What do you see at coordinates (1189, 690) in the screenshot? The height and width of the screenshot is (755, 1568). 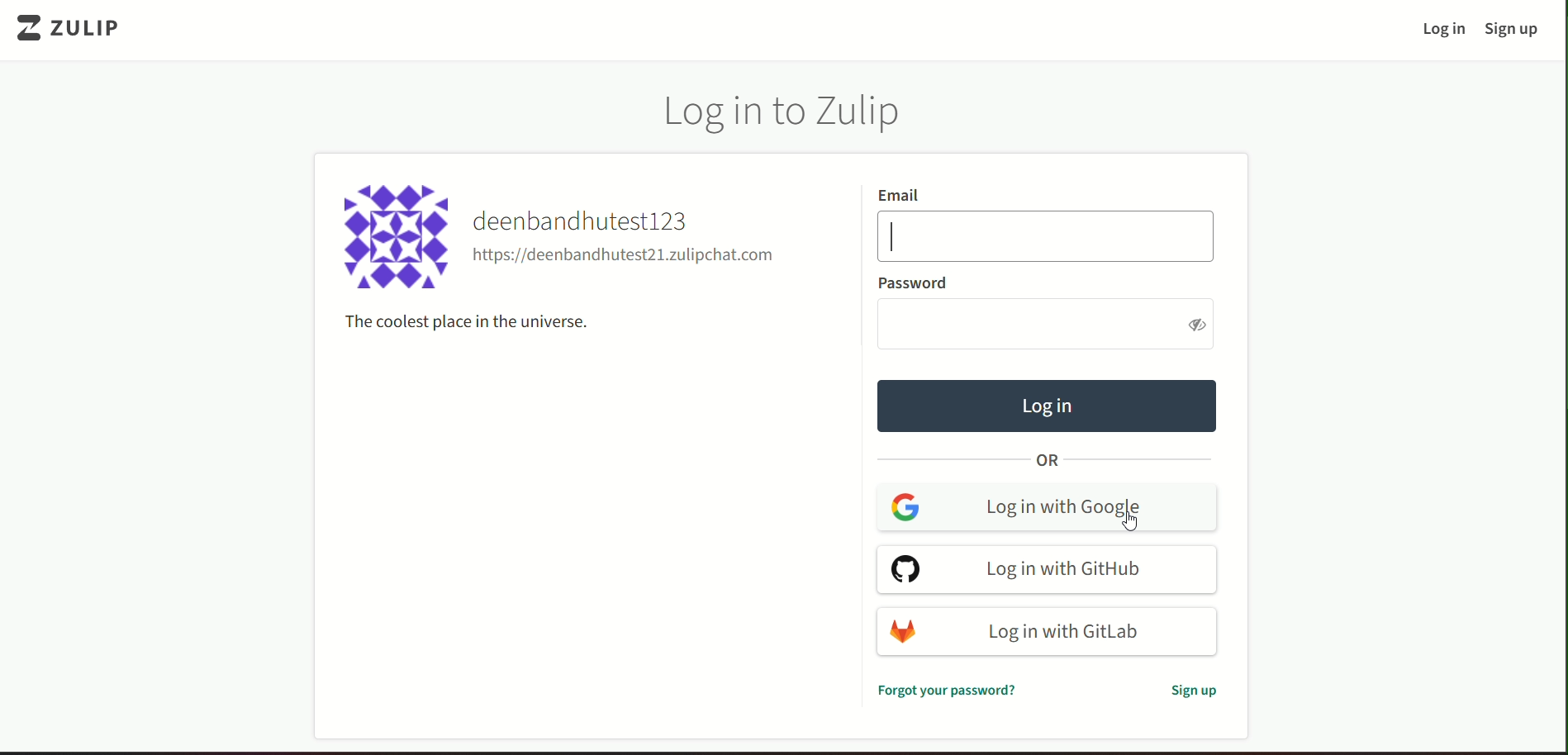 I see `text` at bounding box center [1189, 690].